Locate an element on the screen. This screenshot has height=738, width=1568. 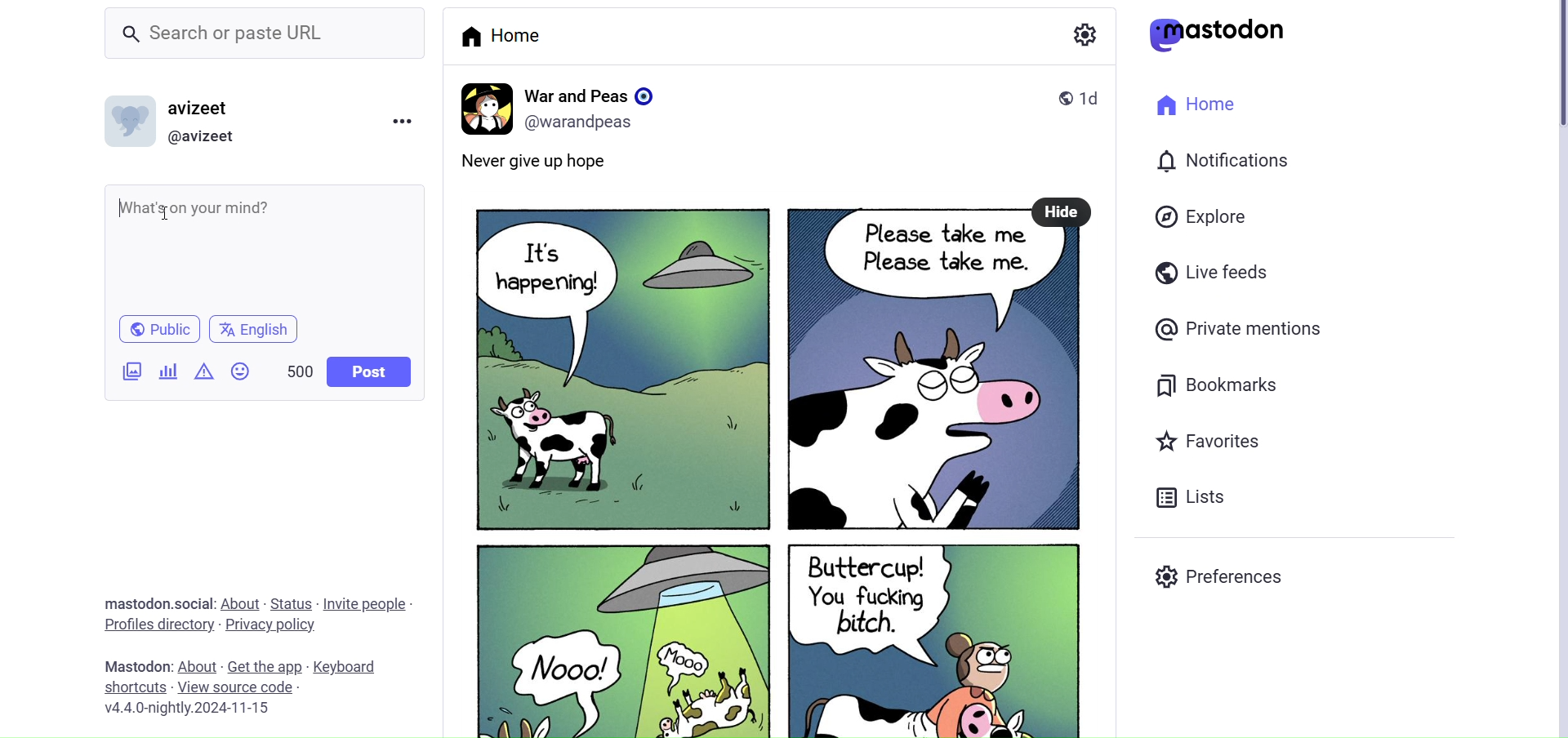
Search or paste URL is located at coordinates (248, 32).